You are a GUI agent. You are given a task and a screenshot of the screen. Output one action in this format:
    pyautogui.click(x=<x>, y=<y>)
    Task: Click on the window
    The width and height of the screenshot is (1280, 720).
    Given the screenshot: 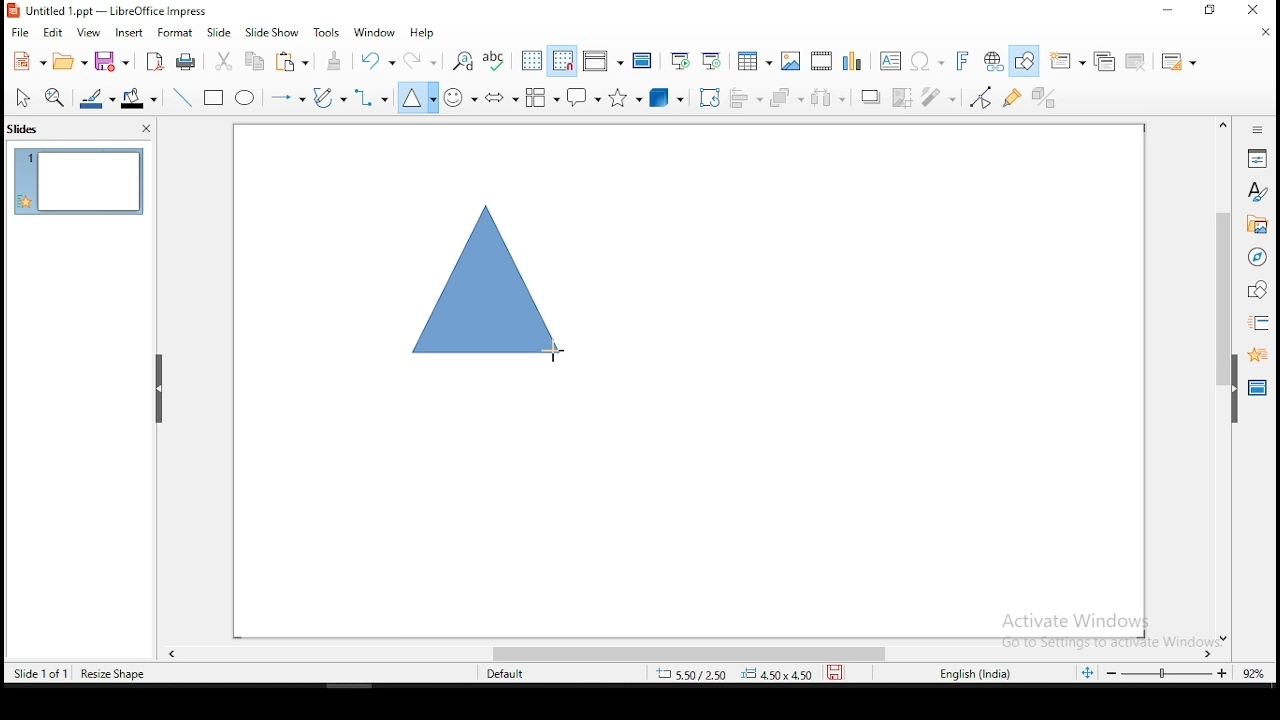 What is the action you would take?
    pyautogui.click(x=375, y=33)
    